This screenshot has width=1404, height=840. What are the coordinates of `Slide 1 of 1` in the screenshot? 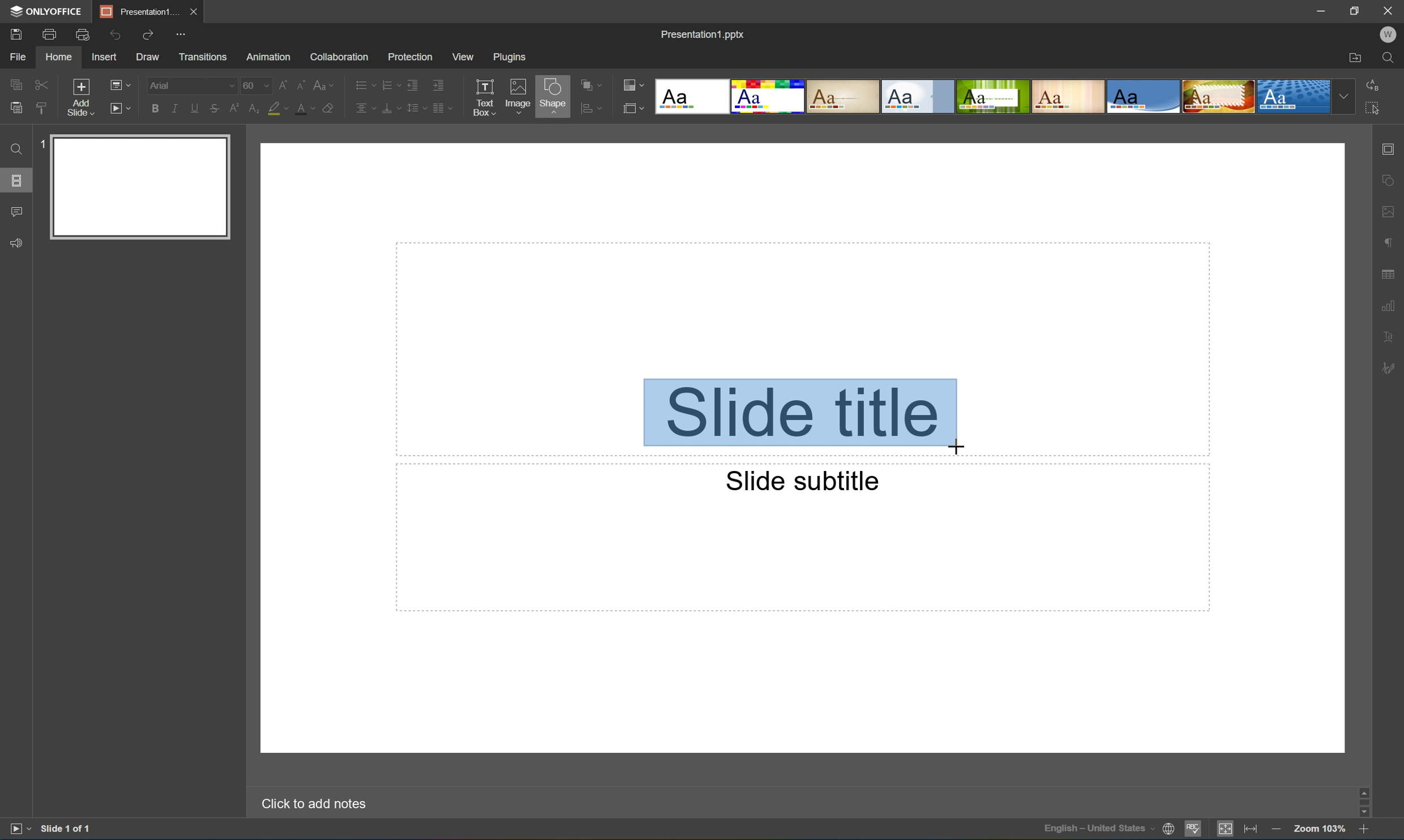 It's located at (70, 829).